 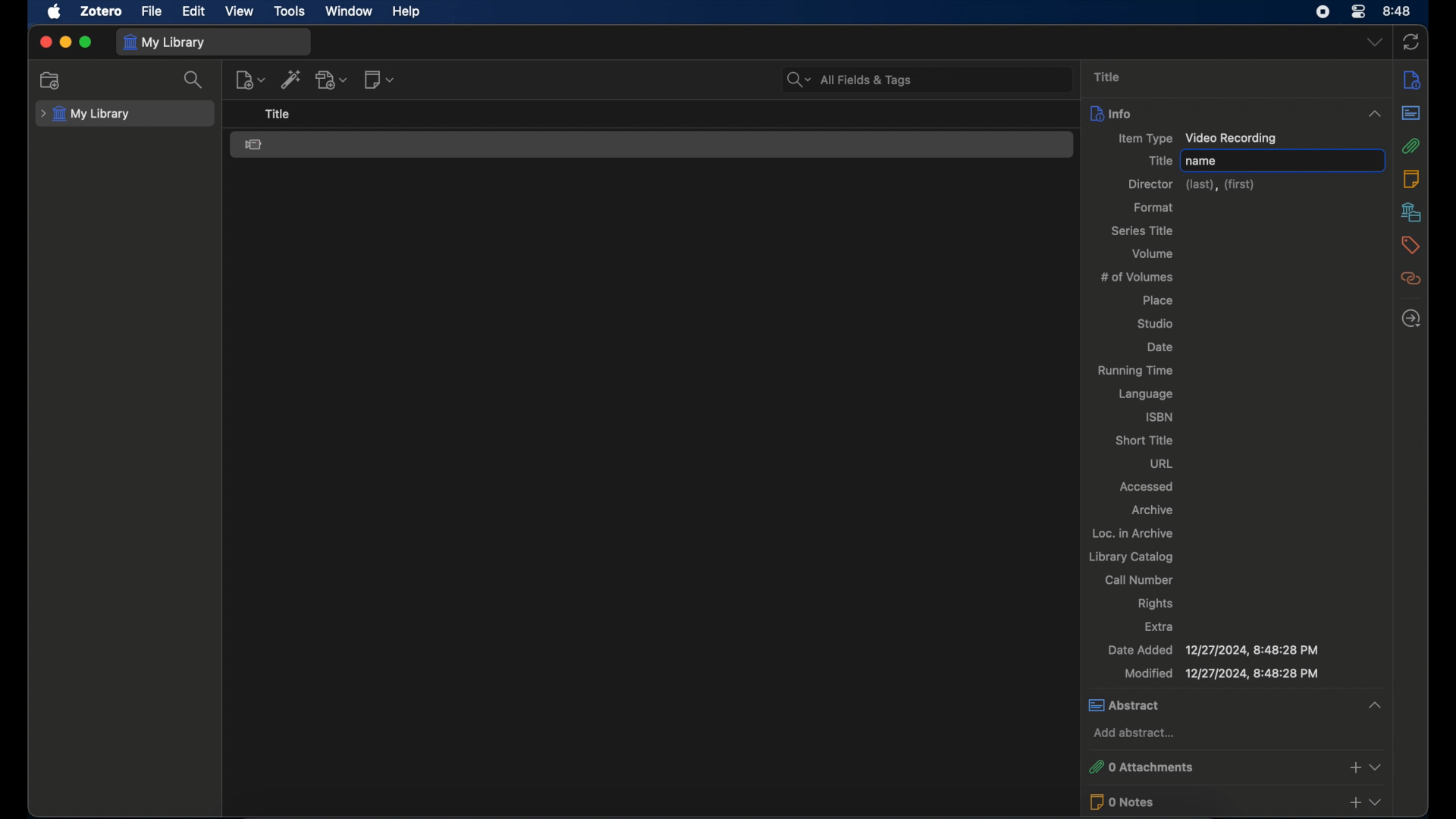 What do you see at coordinates (1134, 557) in the screenshot?
I see `library catalog` at bounding box center [1134, 557].